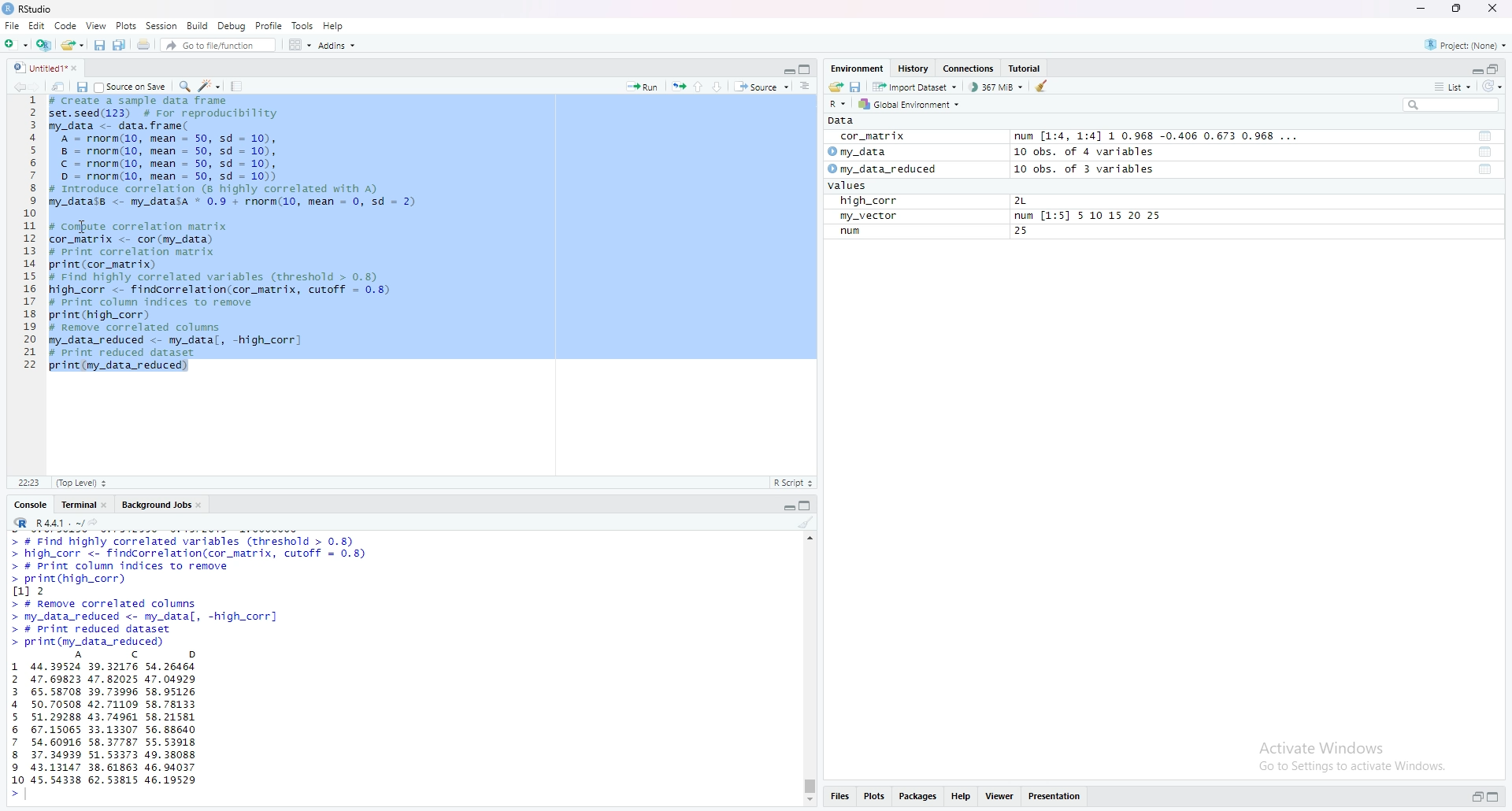  I want to click on Console, so click(31, 505).